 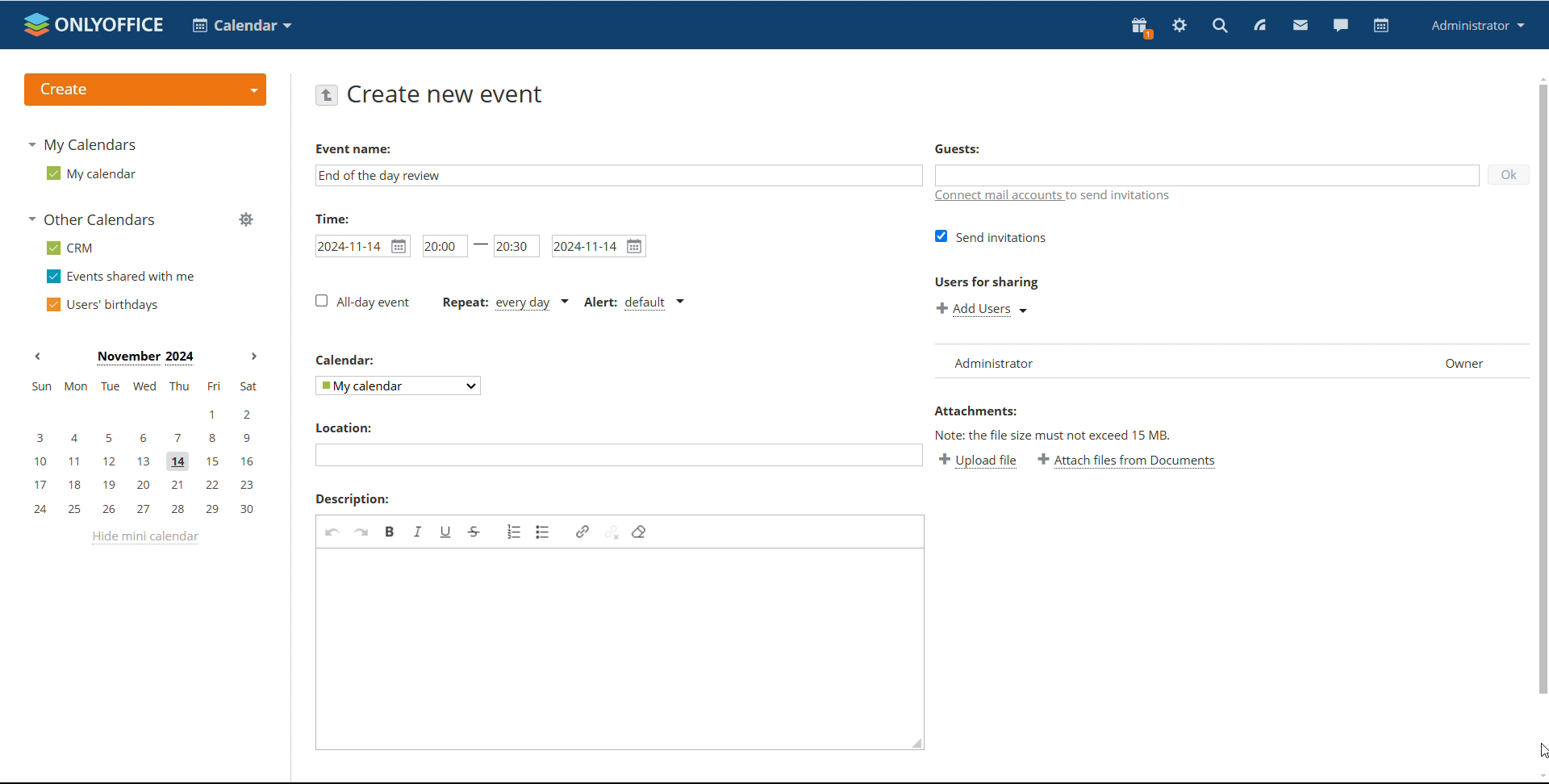 I want to click on 1, 2, so click(x=142, y=415).